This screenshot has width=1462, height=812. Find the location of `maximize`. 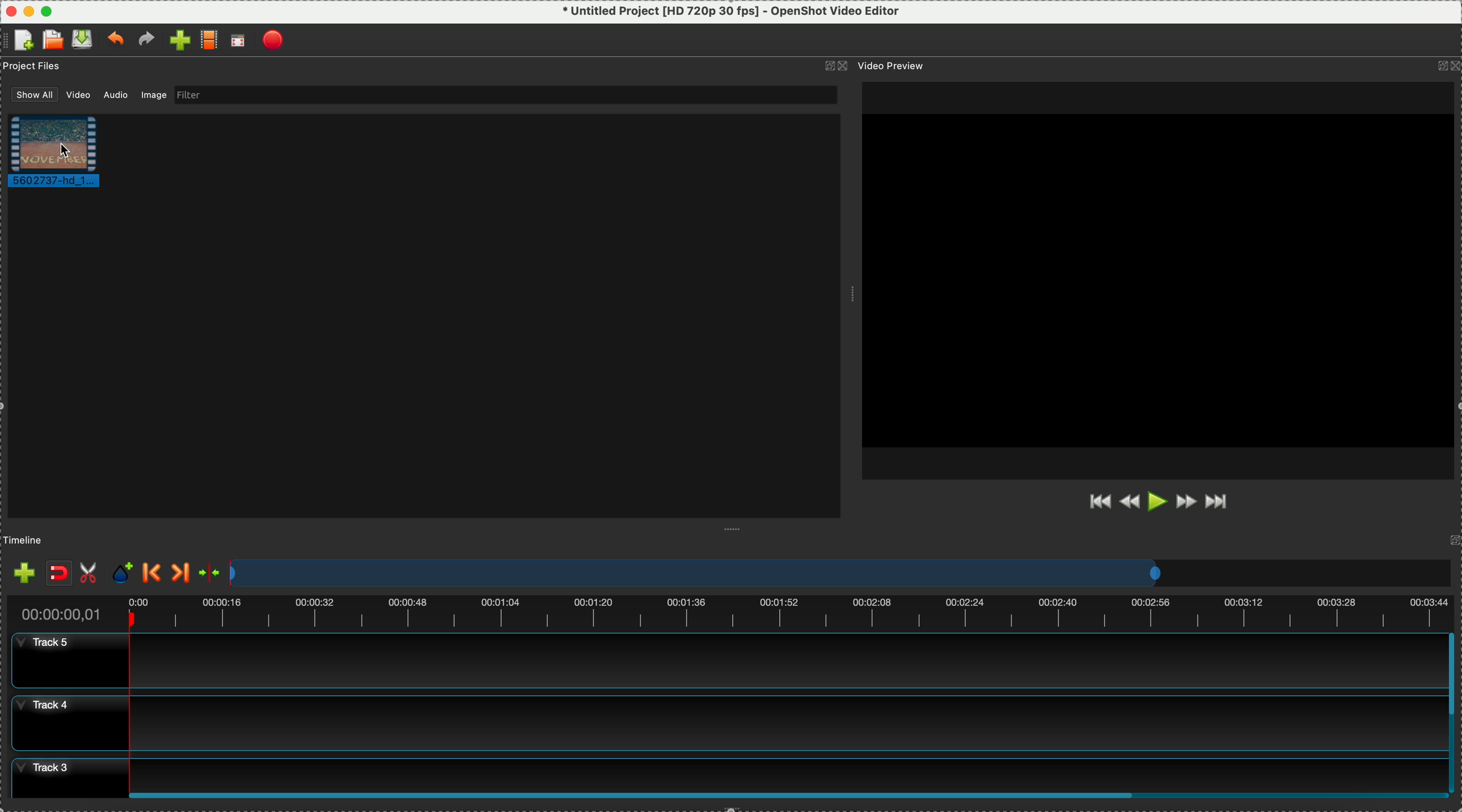

maximize is located at coordinates (46, 10).